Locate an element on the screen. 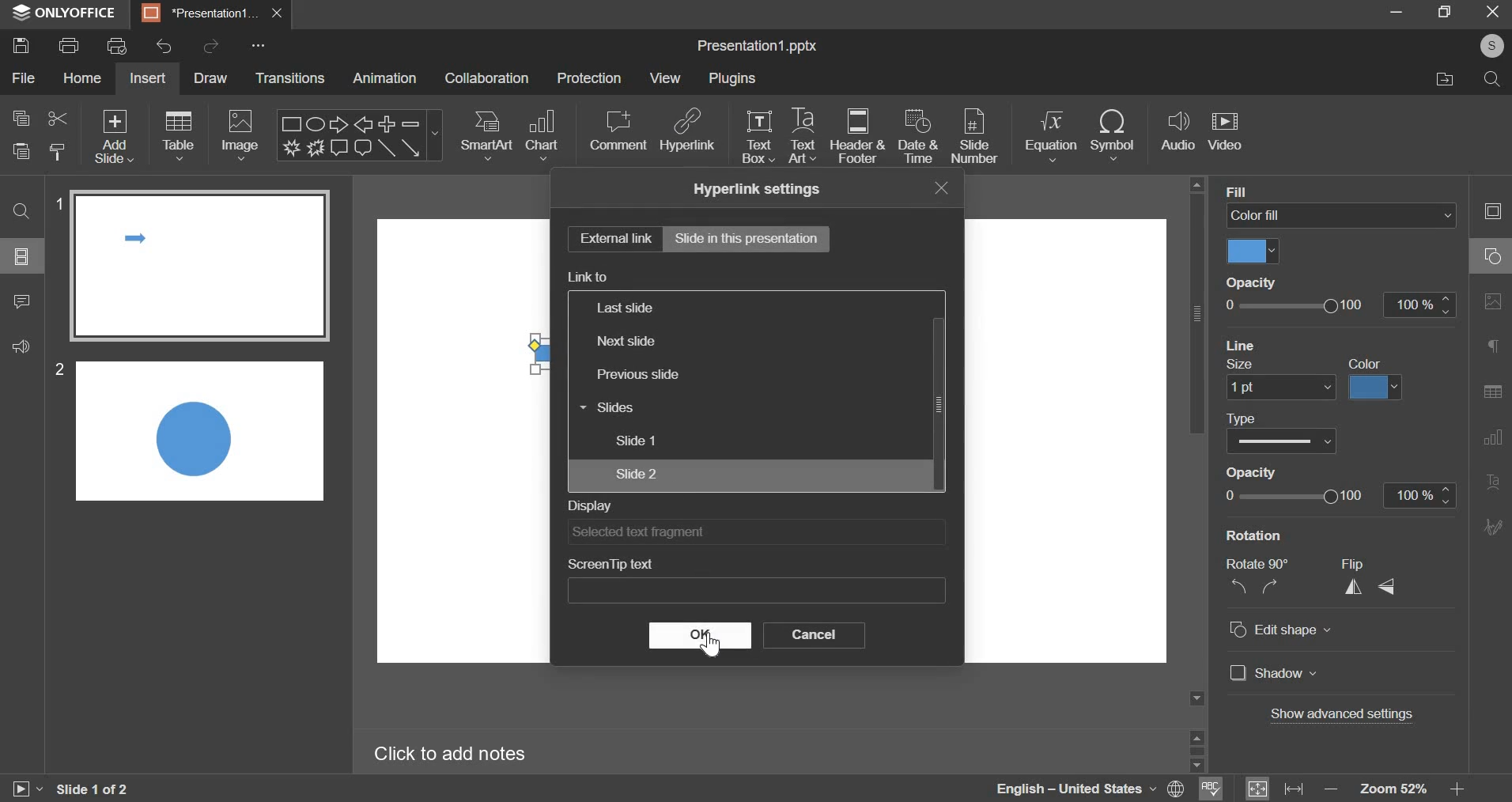 This screenshot has width=1512, height=802. search is located at coordinates (1494, 81).